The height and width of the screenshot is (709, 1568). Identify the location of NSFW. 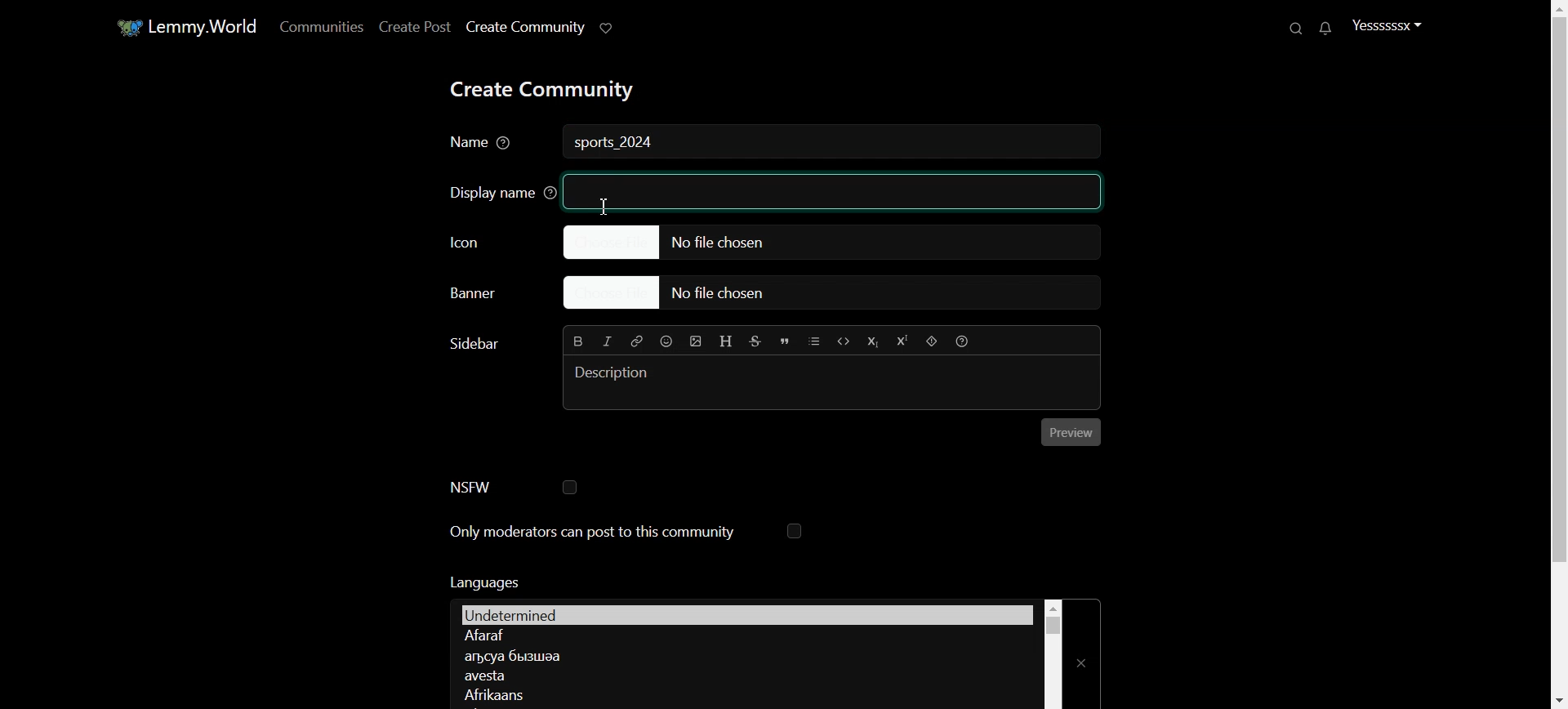
(513, 487).